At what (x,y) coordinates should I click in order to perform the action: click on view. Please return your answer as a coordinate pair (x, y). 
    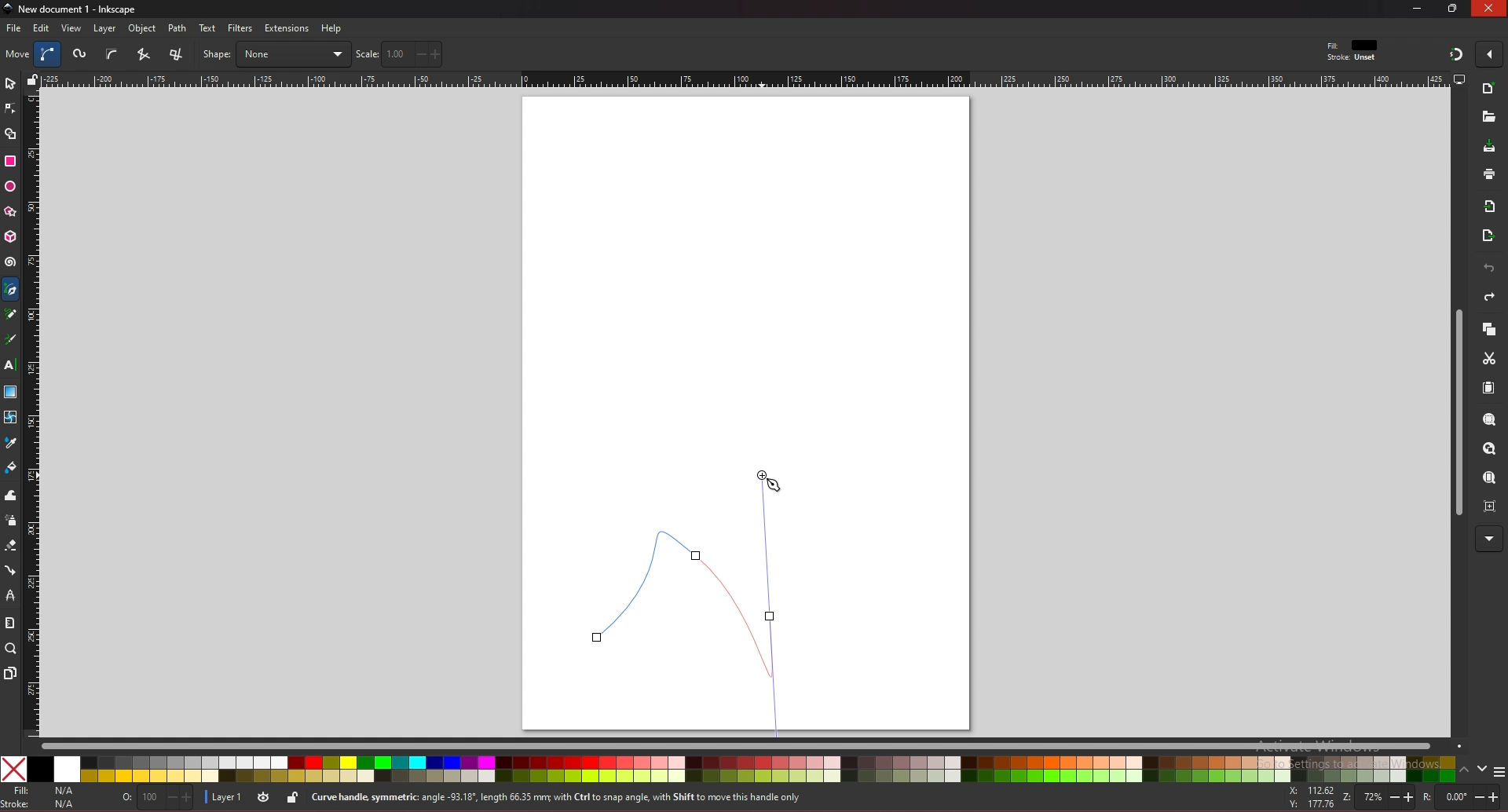
    Looking at the image, I should click on (72, 28).